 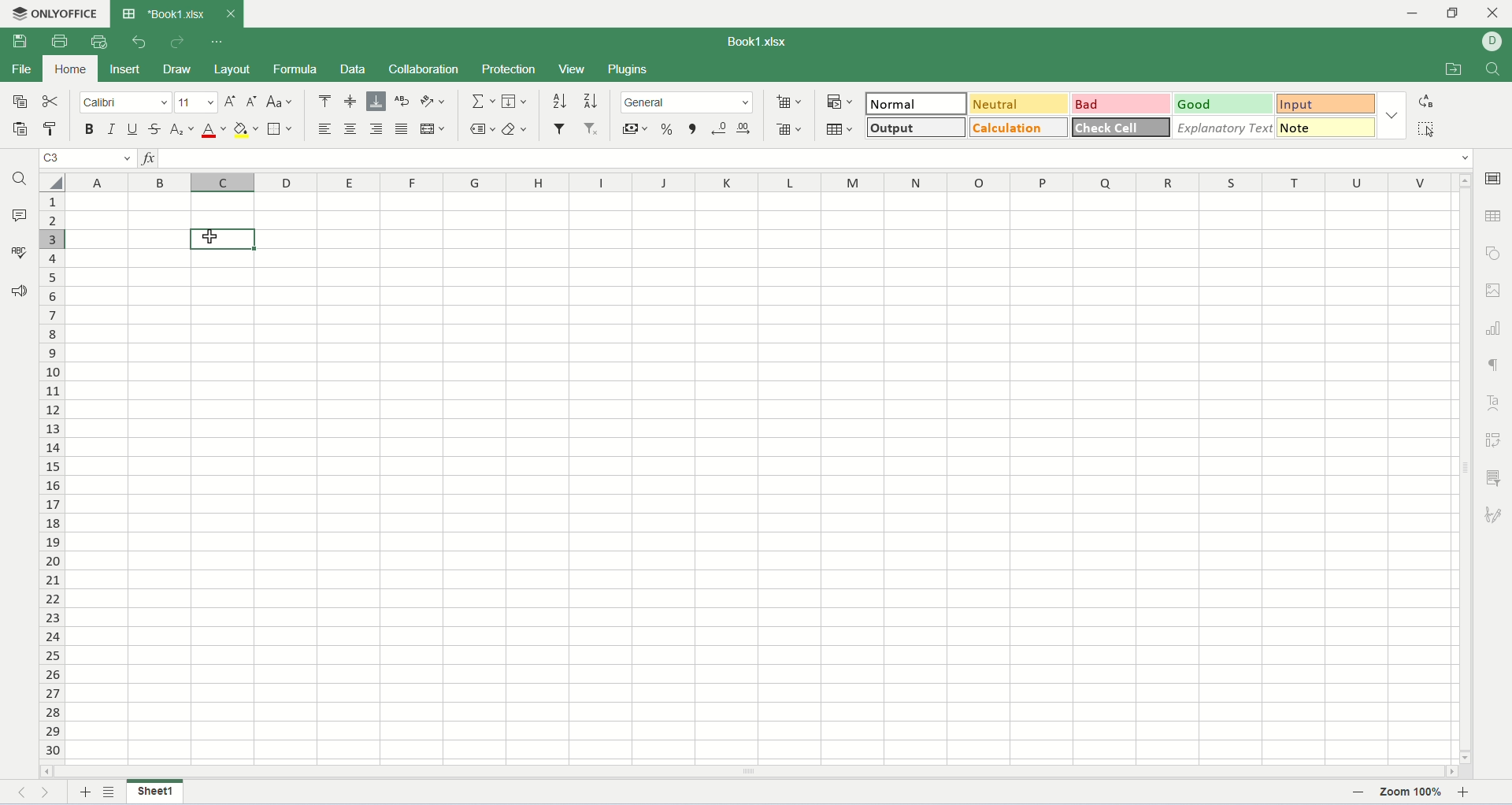 What do you see at coordinates (1393, 116) in the screenshot?
I see `style option` at bounding box center [1393, 116].